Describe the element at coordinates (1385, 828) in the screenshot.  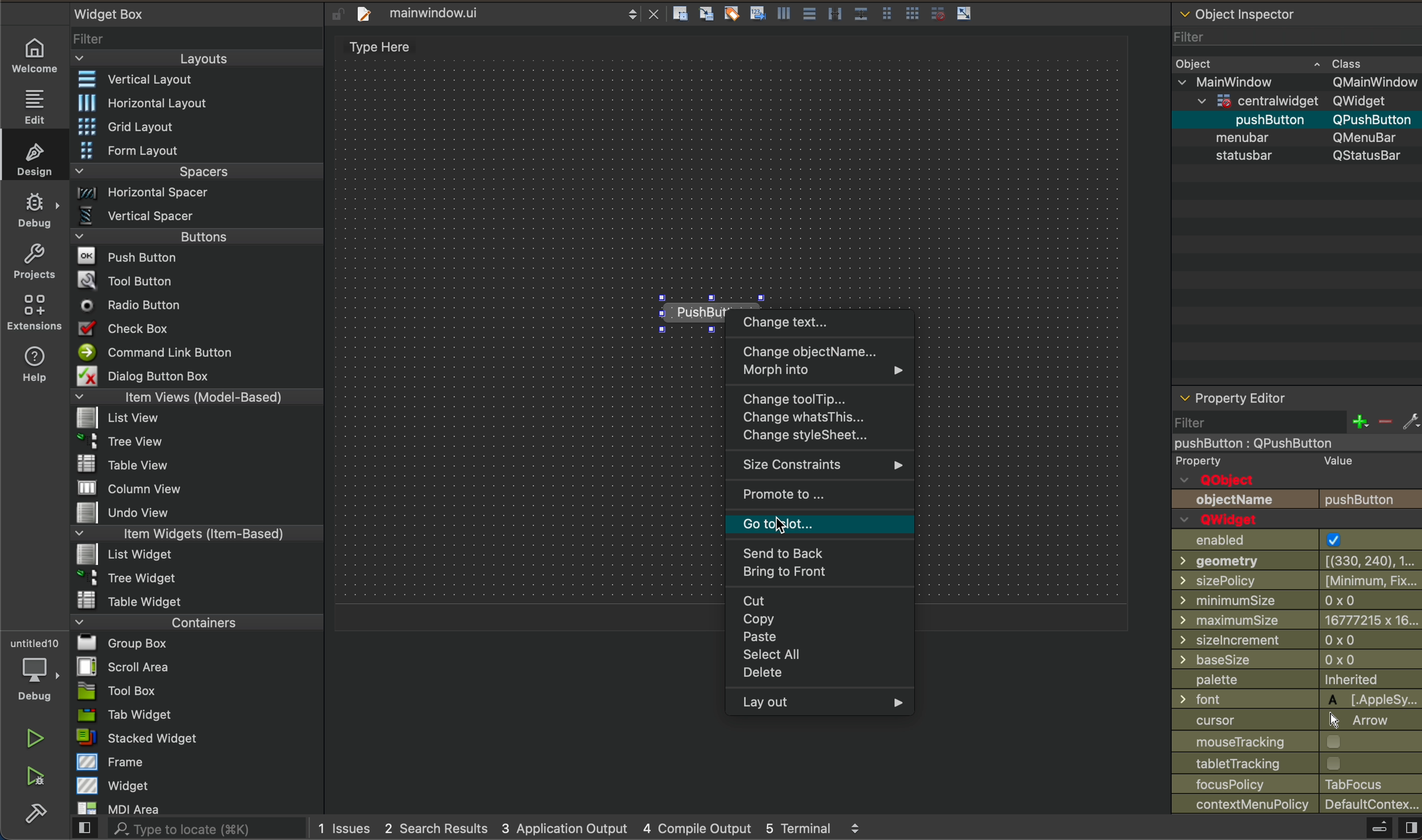
I see `close sidebar` at that location.